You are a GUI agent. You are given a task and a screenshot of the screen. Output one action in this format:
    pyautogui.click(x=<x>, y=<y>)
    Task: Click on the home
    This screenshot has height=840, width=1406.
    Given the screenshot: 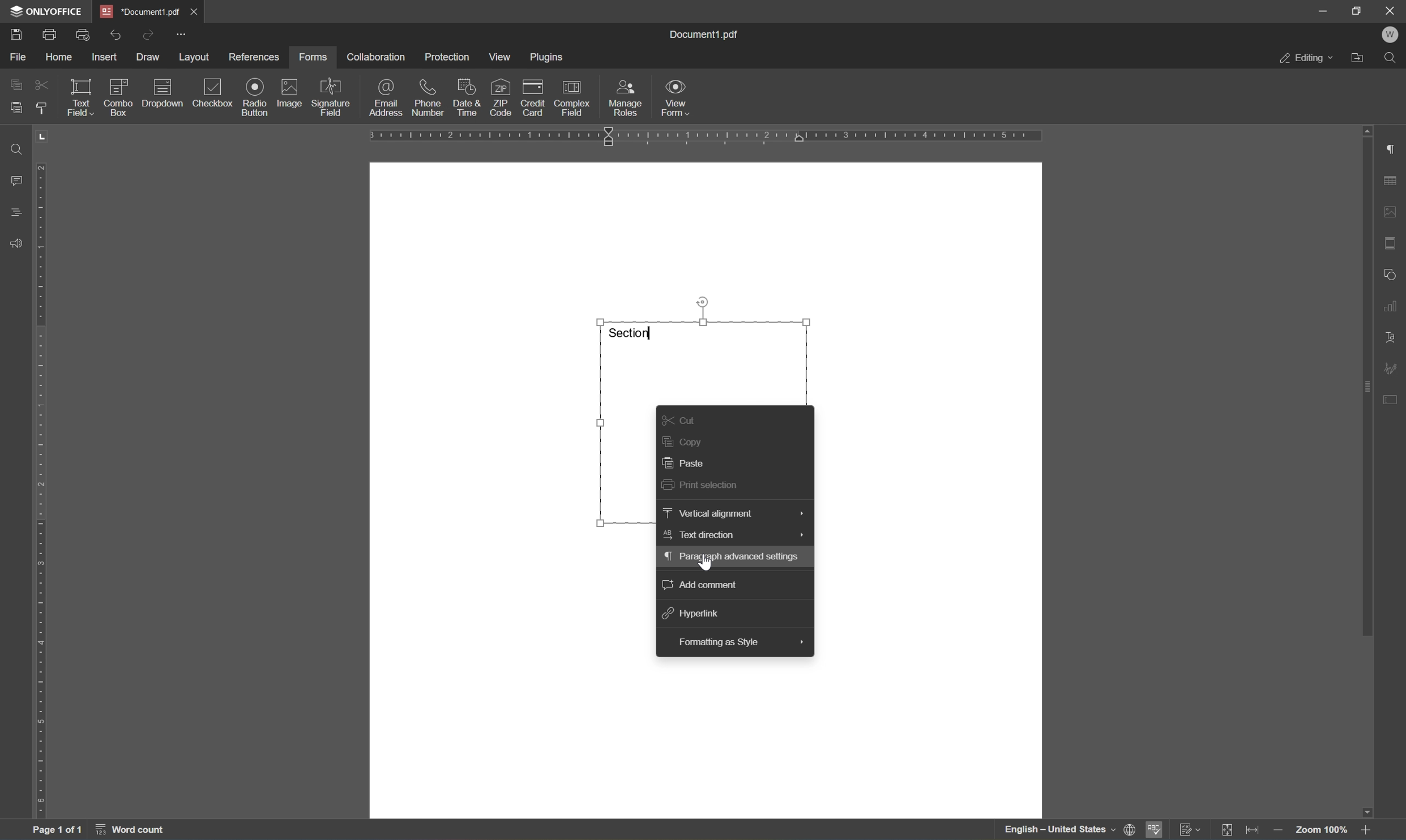 What is the action you would take?
    pyautogui.click(x=61, y=57)
    